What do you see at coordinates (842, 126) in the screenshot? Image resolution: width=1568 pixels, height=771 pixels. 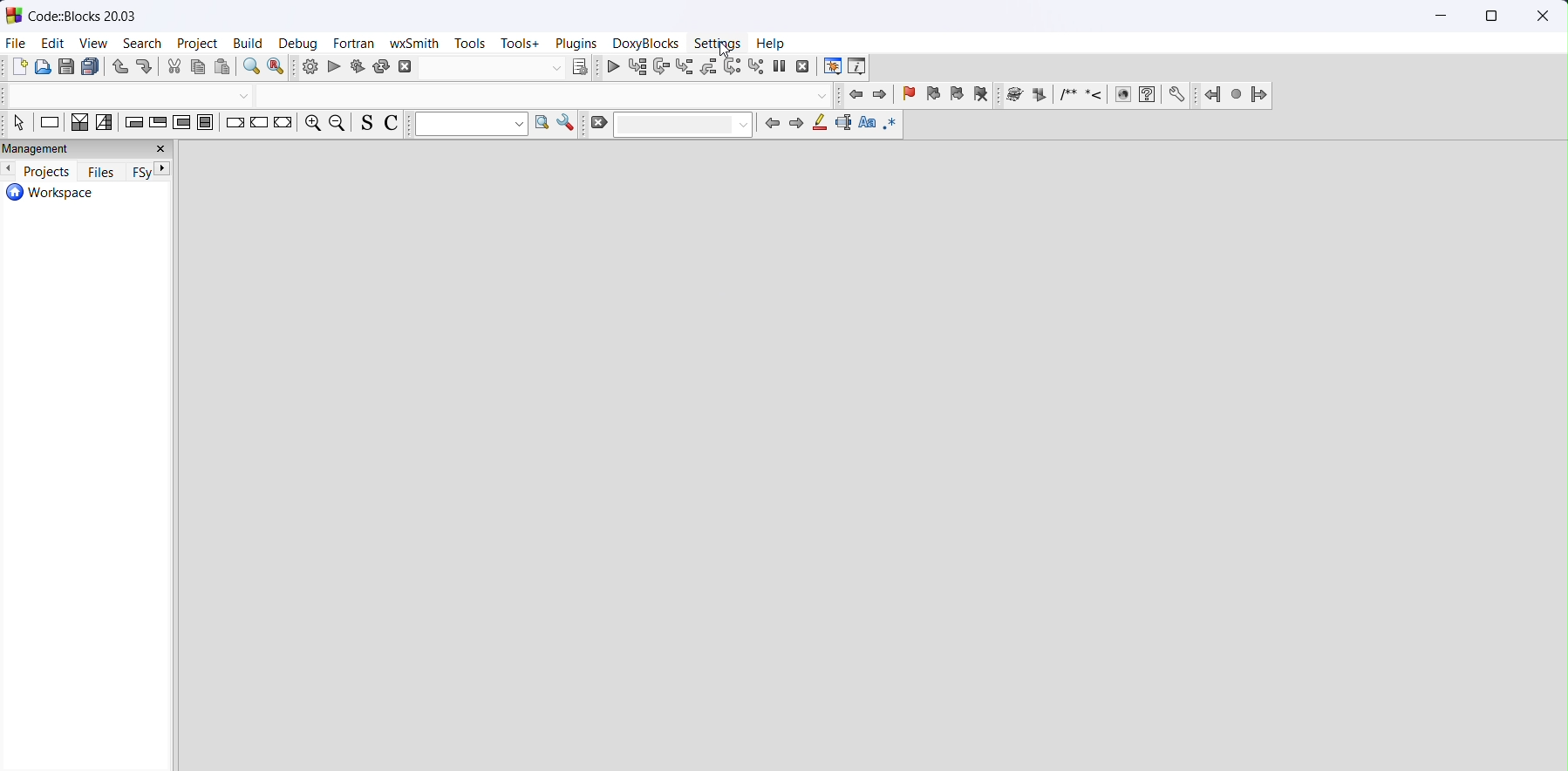 I see `selected text` at bounding box center [842, 126].